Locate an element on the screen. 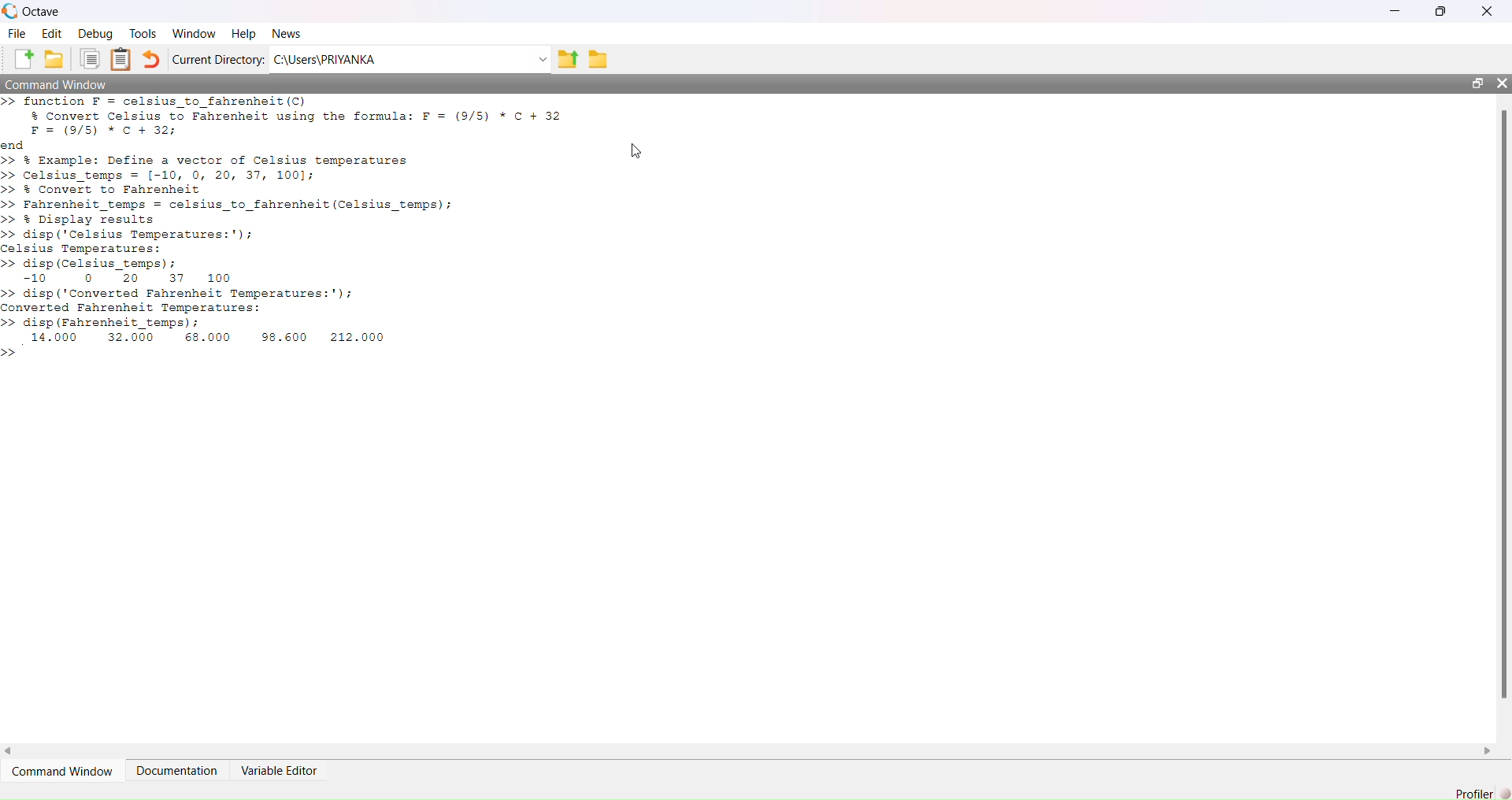  Command Window is located at coordinates (56, 83).